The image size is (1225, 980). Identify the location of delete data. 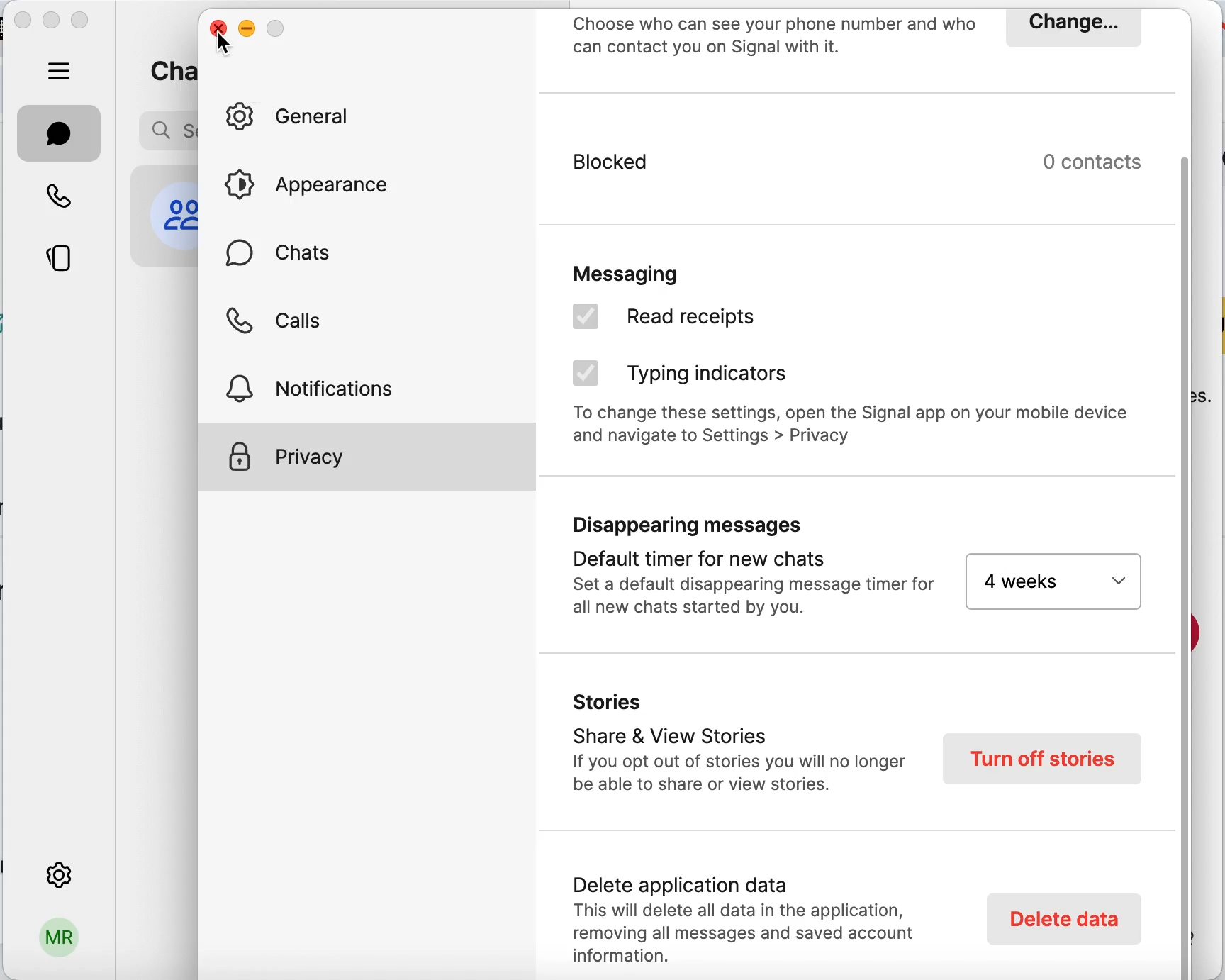
(1061, 918).